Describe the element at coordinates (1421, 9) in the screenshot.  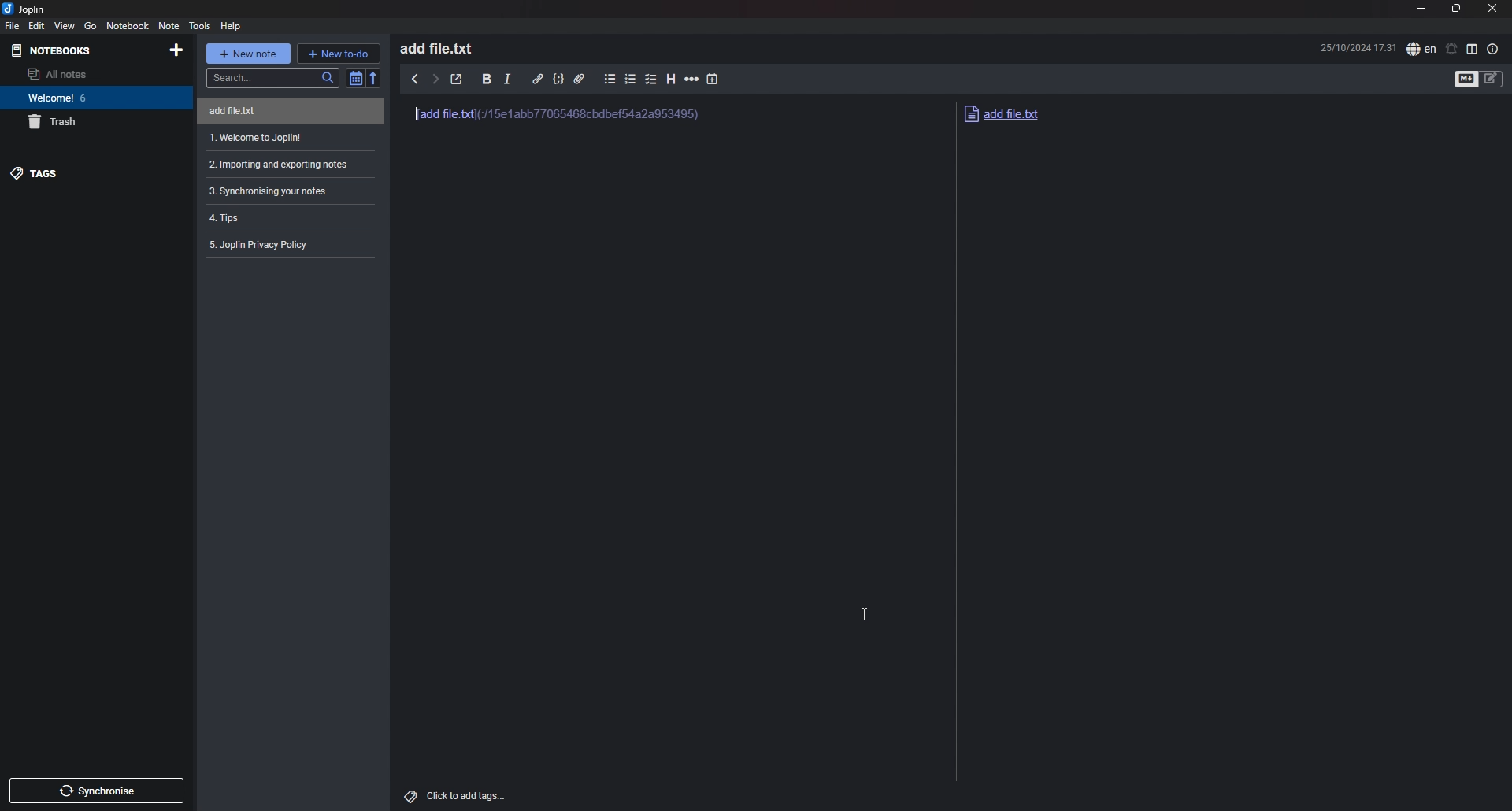
I see `minimize` at that location.